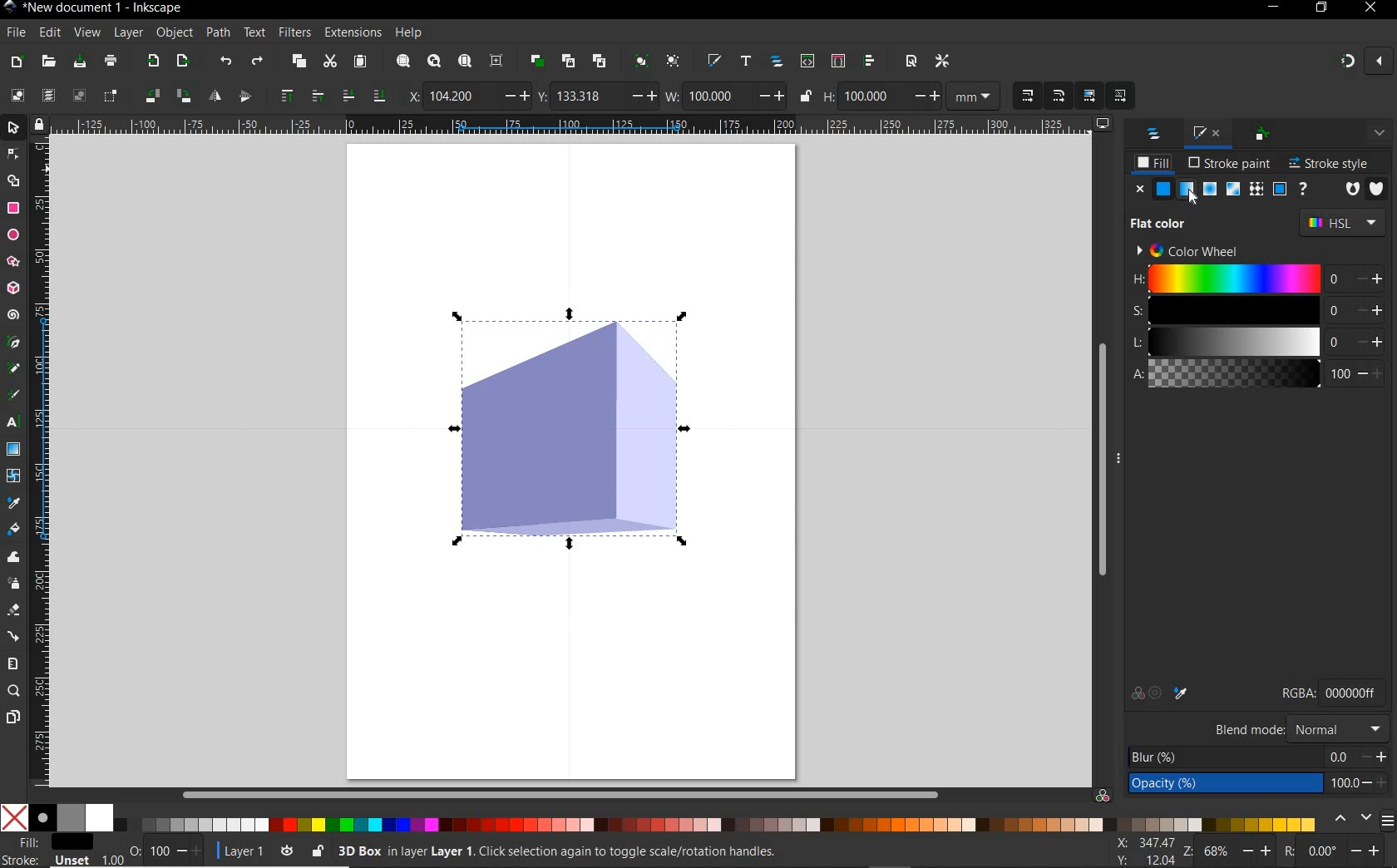 The image size is (1397, 868). What do you see at coordinates (1260, 136) in the screenshot?
I see `OBJECT PROPERTIES` at bounding box center [1260, 136].